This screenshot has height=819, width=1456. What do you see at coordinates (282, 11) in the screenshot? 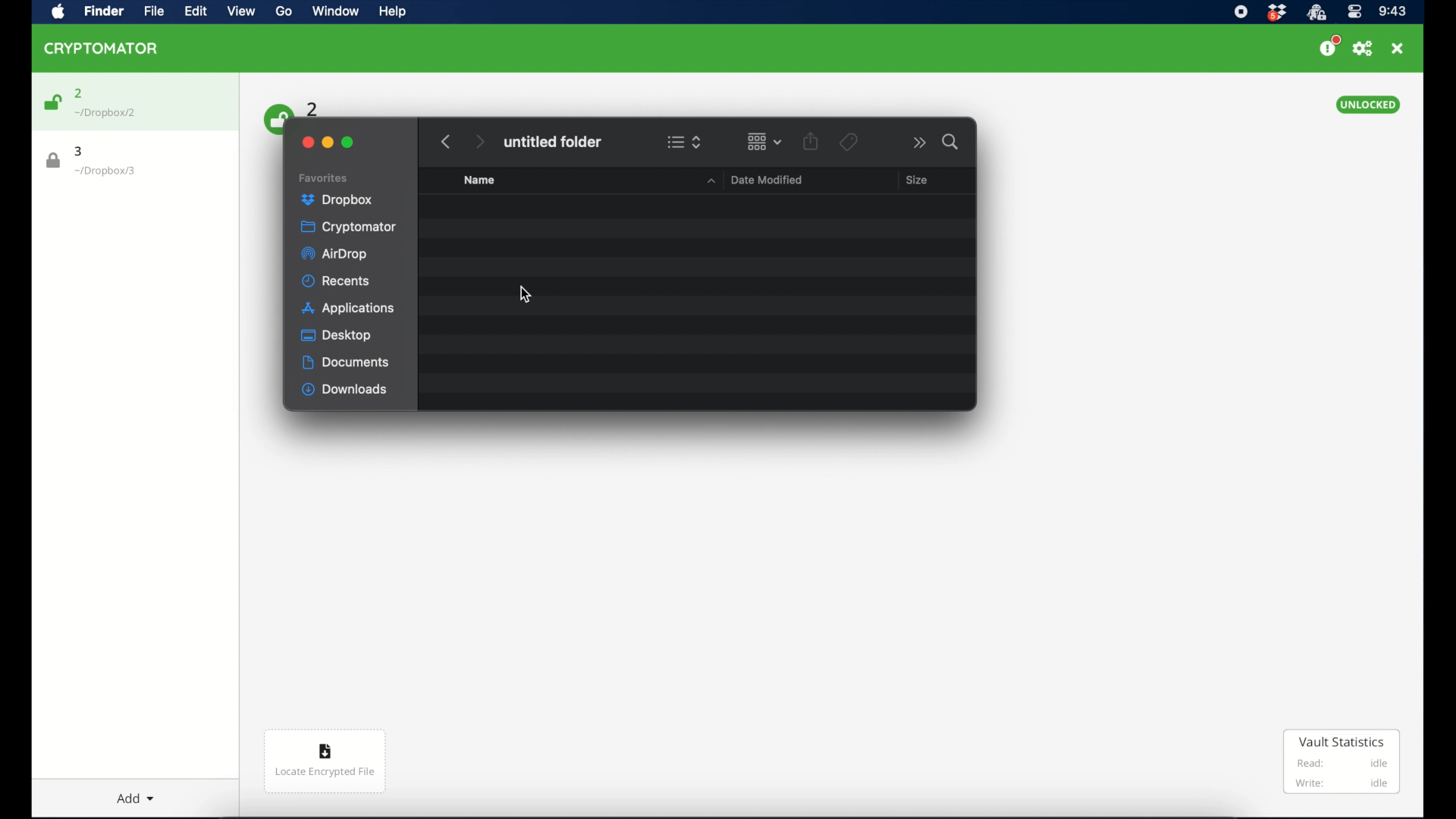
I see `go` at bounding box center [282, 11].